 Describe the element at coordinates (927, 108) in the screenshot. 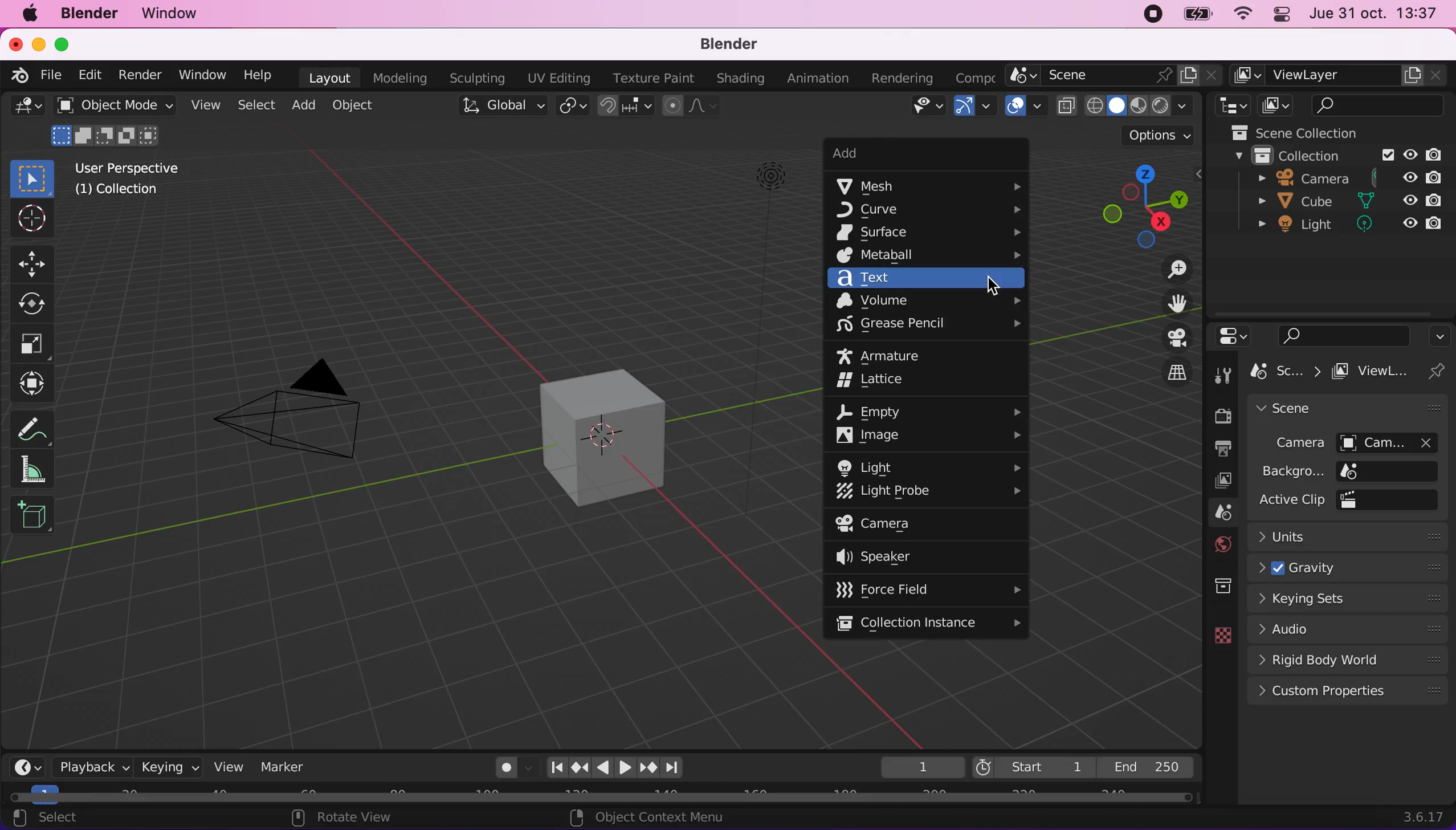

I see `view object types` at that location.